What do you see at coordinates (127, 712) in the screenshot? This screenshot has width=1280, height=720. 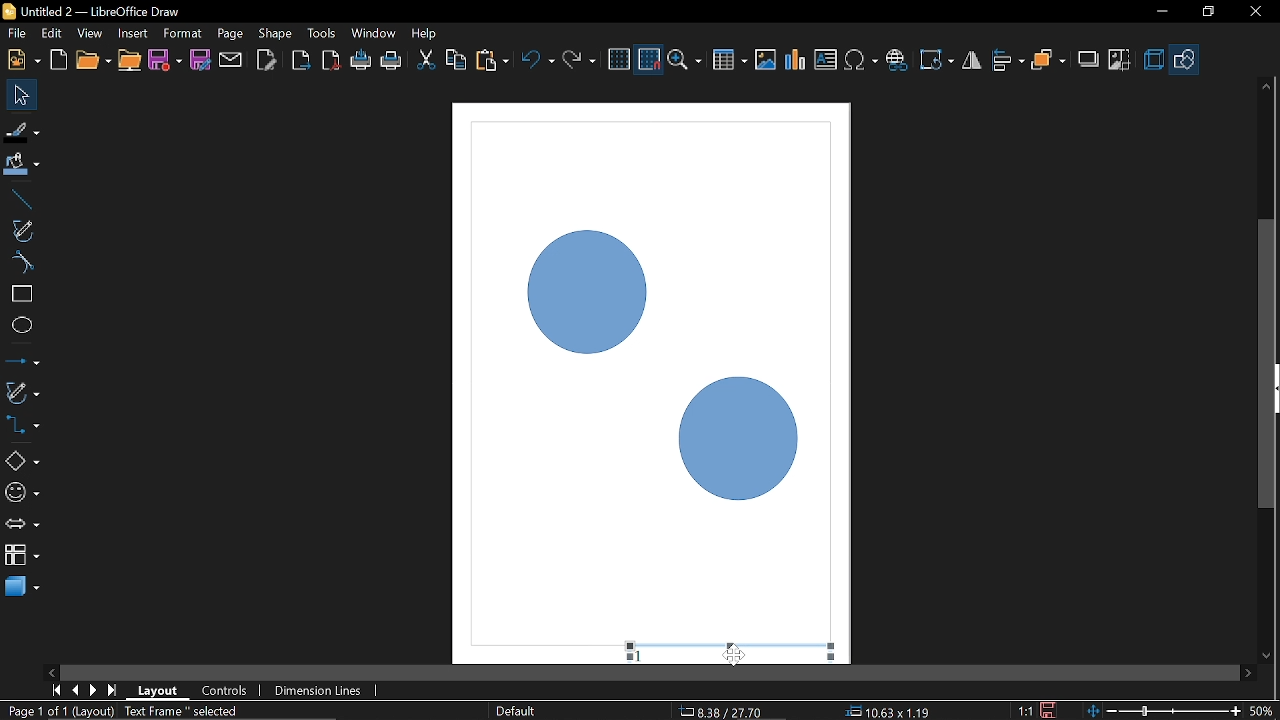 I see `Current page` at bounding box center [127, 712].